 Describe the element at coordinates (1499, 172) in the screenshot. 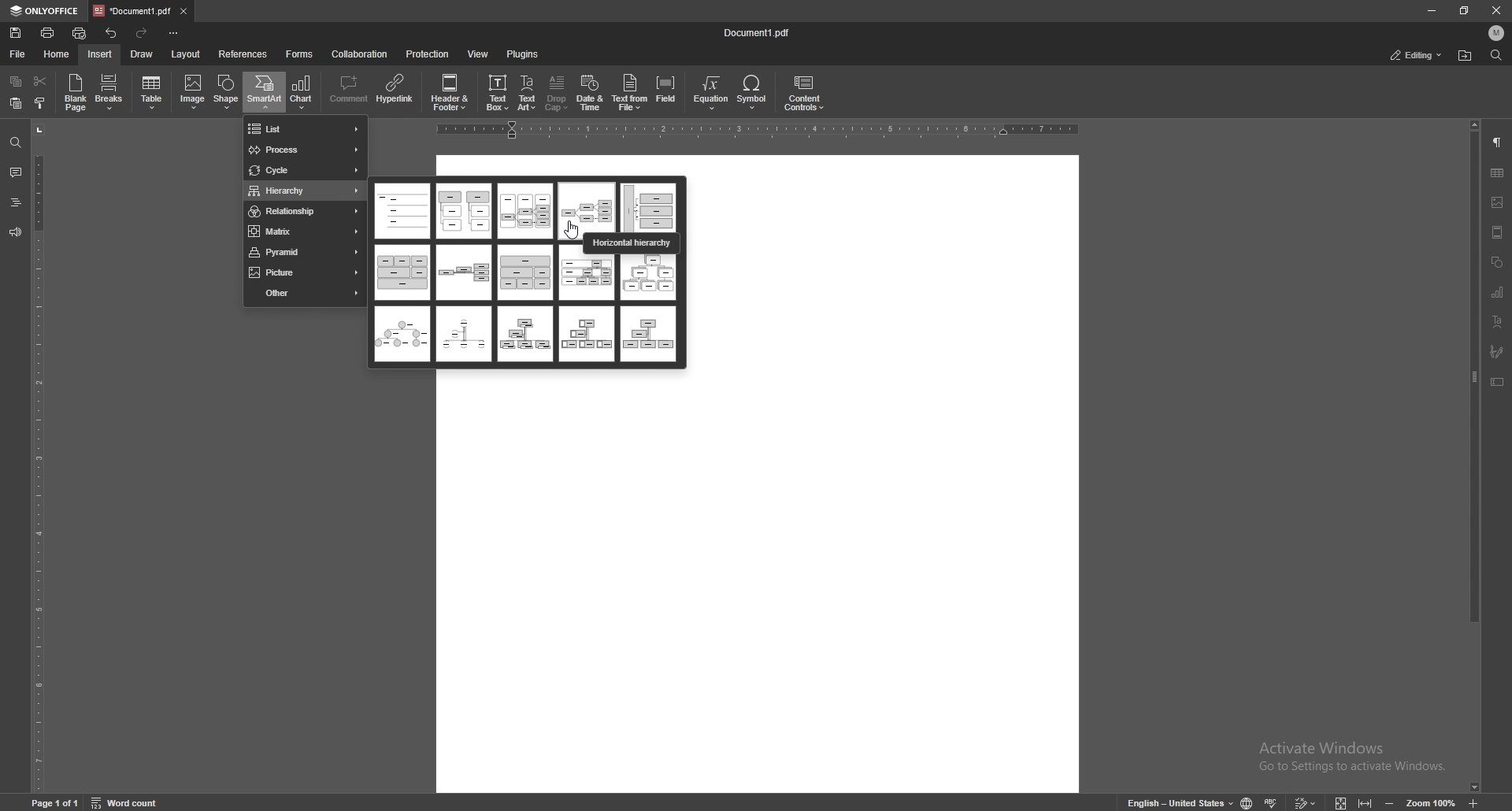

I see `table` at that location.